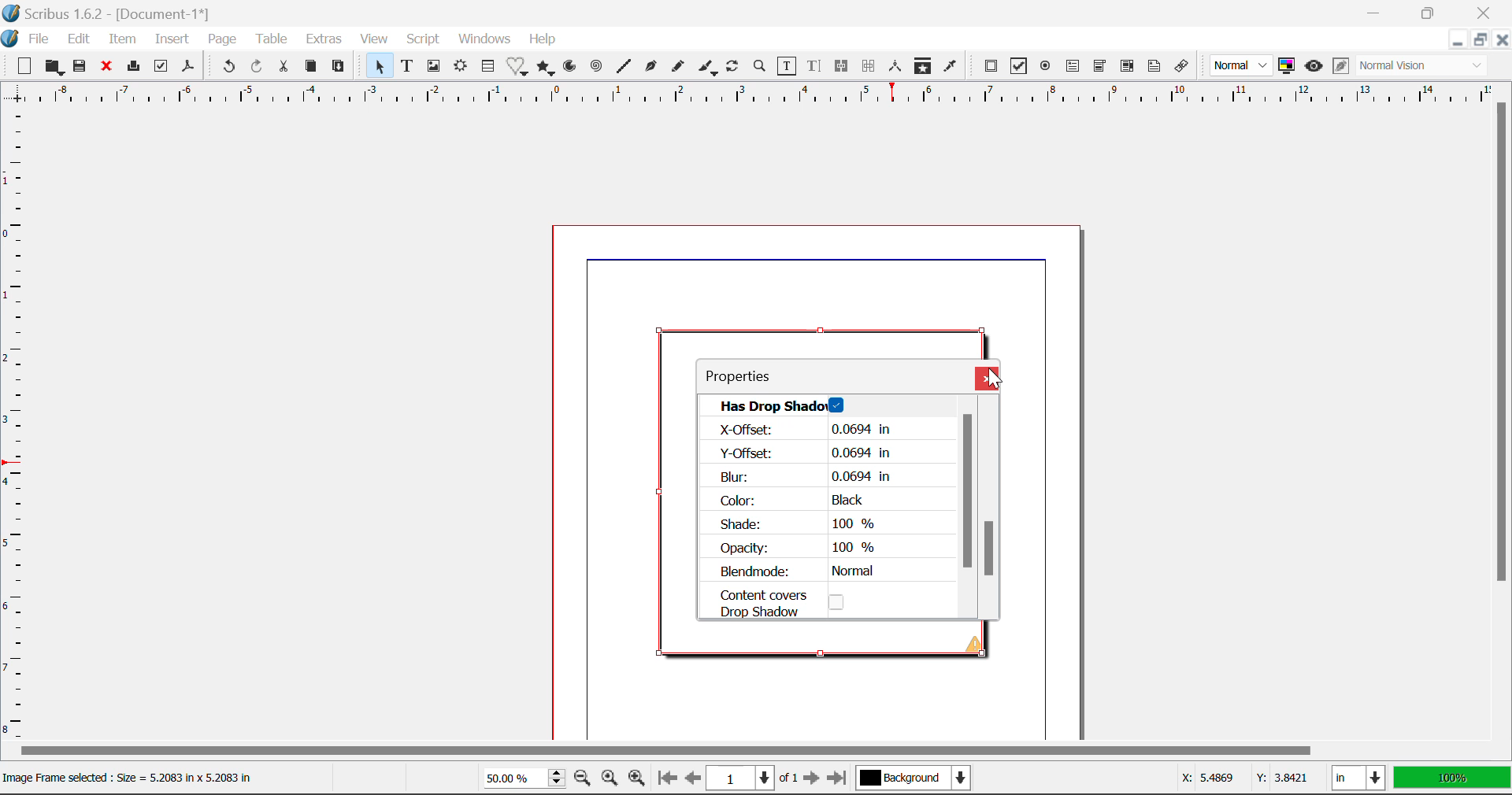 This screenshot has height=795, width=1512. Describe the element at coordinates (816, 68) in the screenshot. I see `Edit Text with Story Editor` at that location.